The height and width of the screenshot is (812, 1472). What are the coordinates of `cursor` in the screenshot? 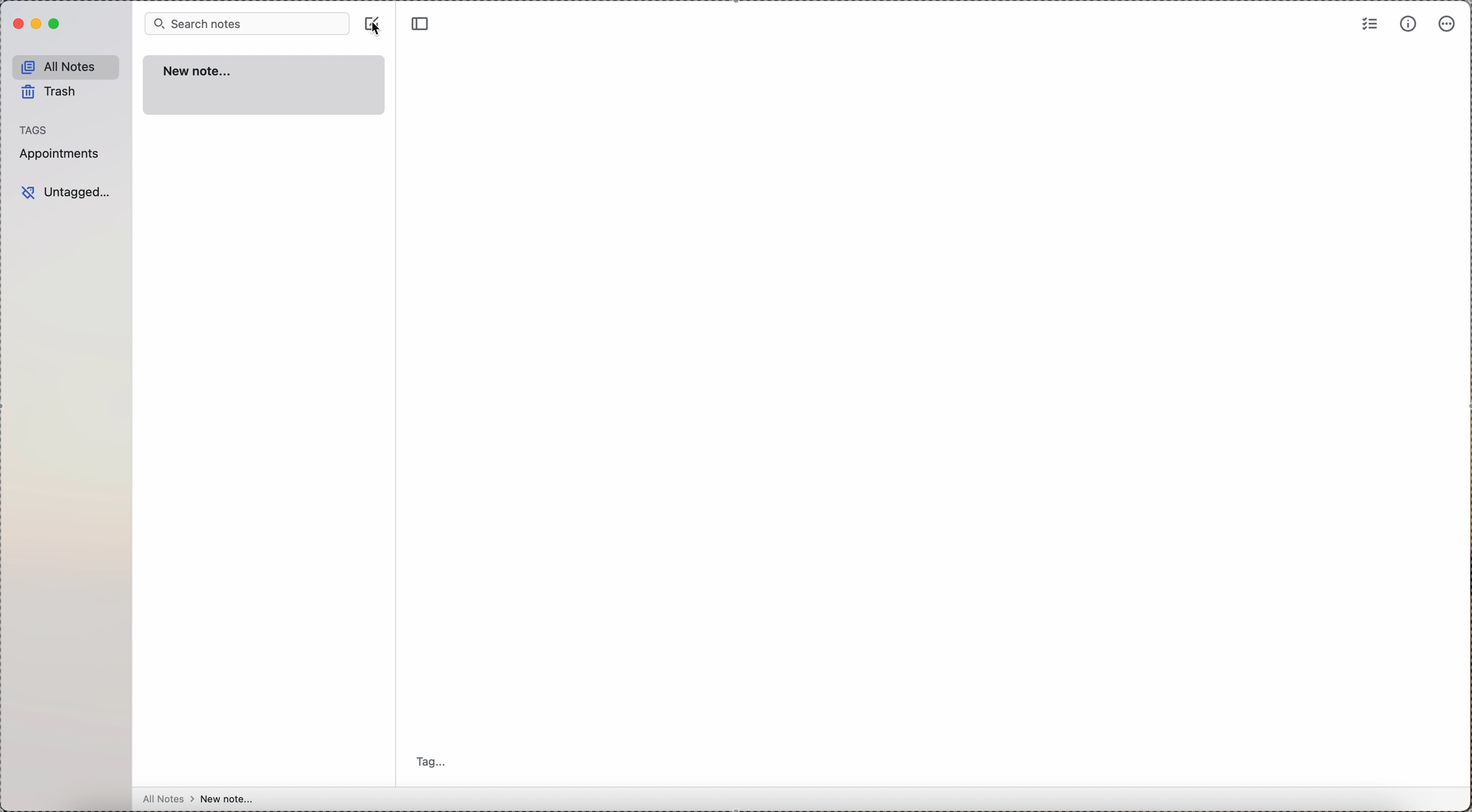 It's located at (378, 32).